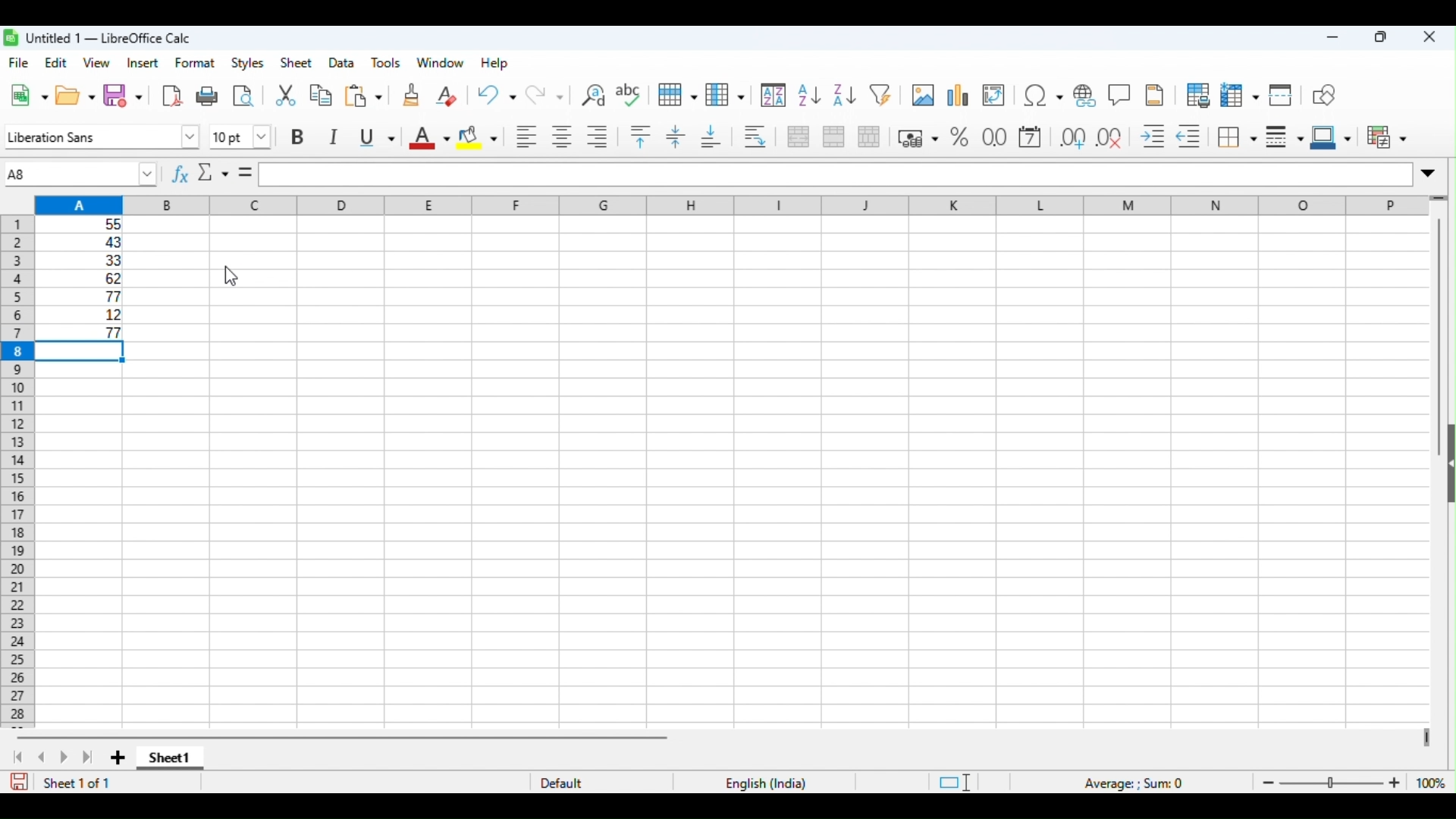  What do you see at coordinates (725, 96) in the screenshot?
I see `column` at bounding box center [725, 96].